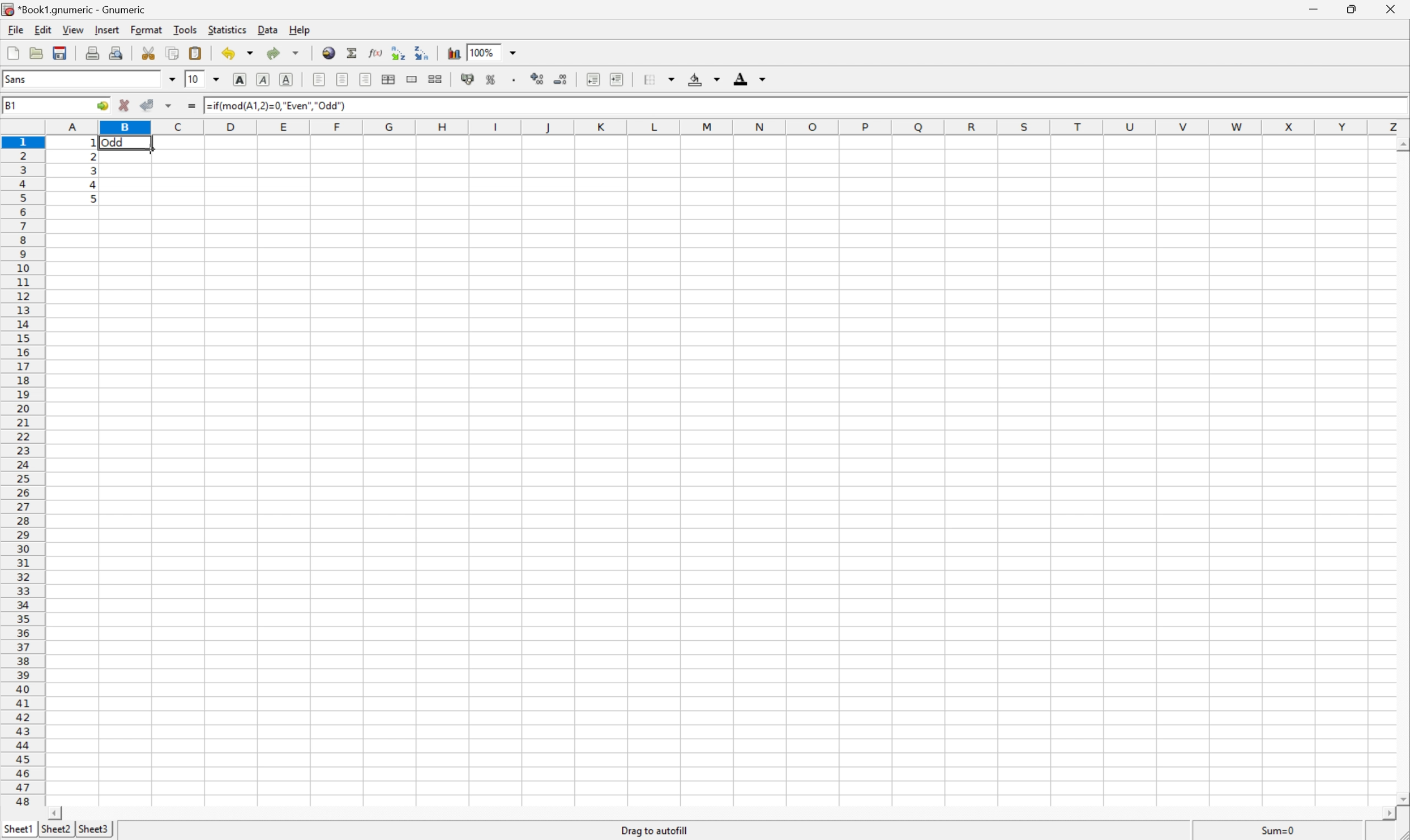  Describe the element at coordinates (92, 52) in the screenshot. I see `Print current file` at that location.